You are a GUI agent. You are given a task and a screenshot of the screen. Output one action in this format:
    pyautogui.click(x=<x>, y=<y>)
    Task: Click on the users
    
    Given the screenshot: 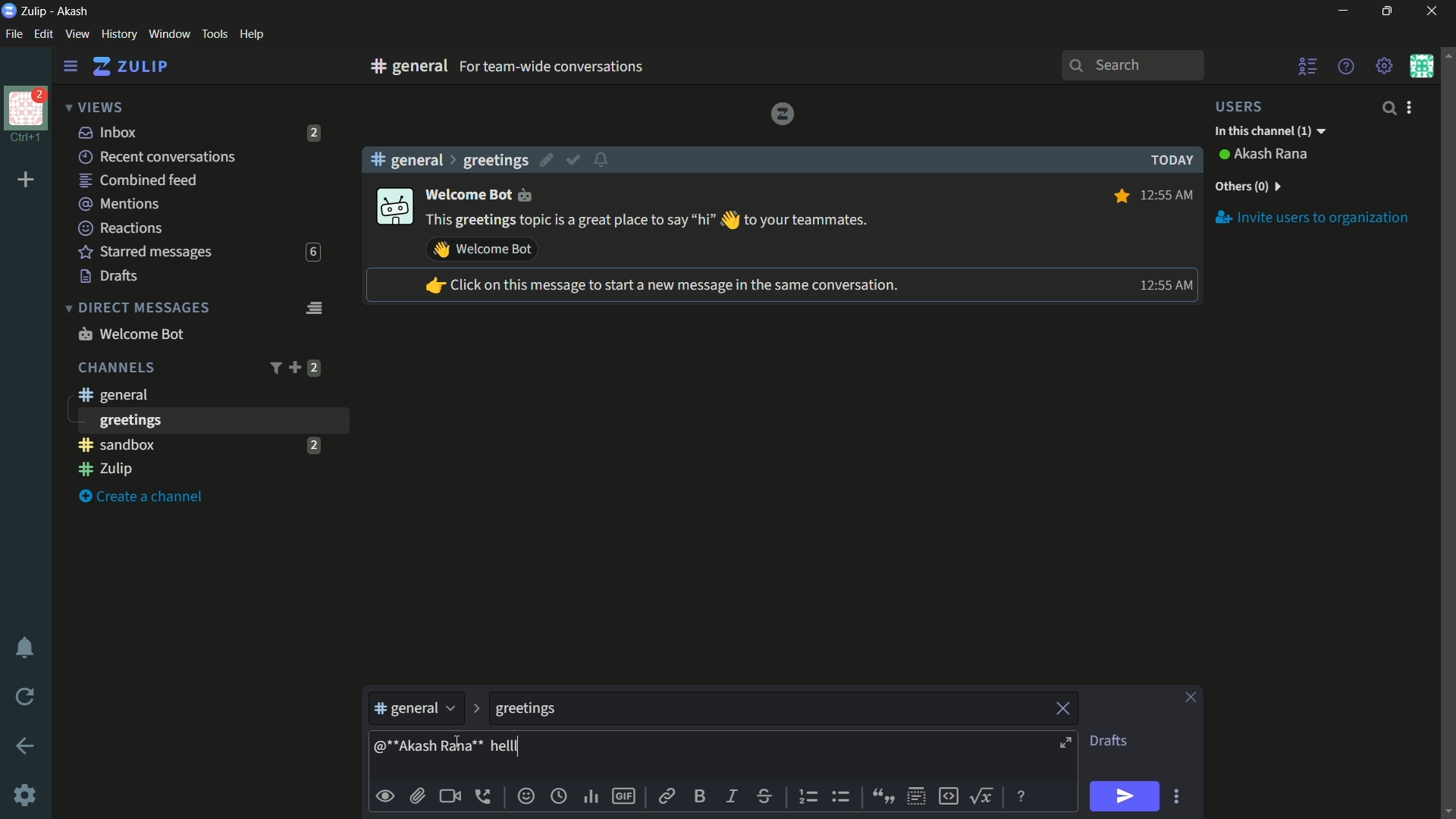 What is the action you would take?
    pyautogui.click(x=1248, y=106)
    